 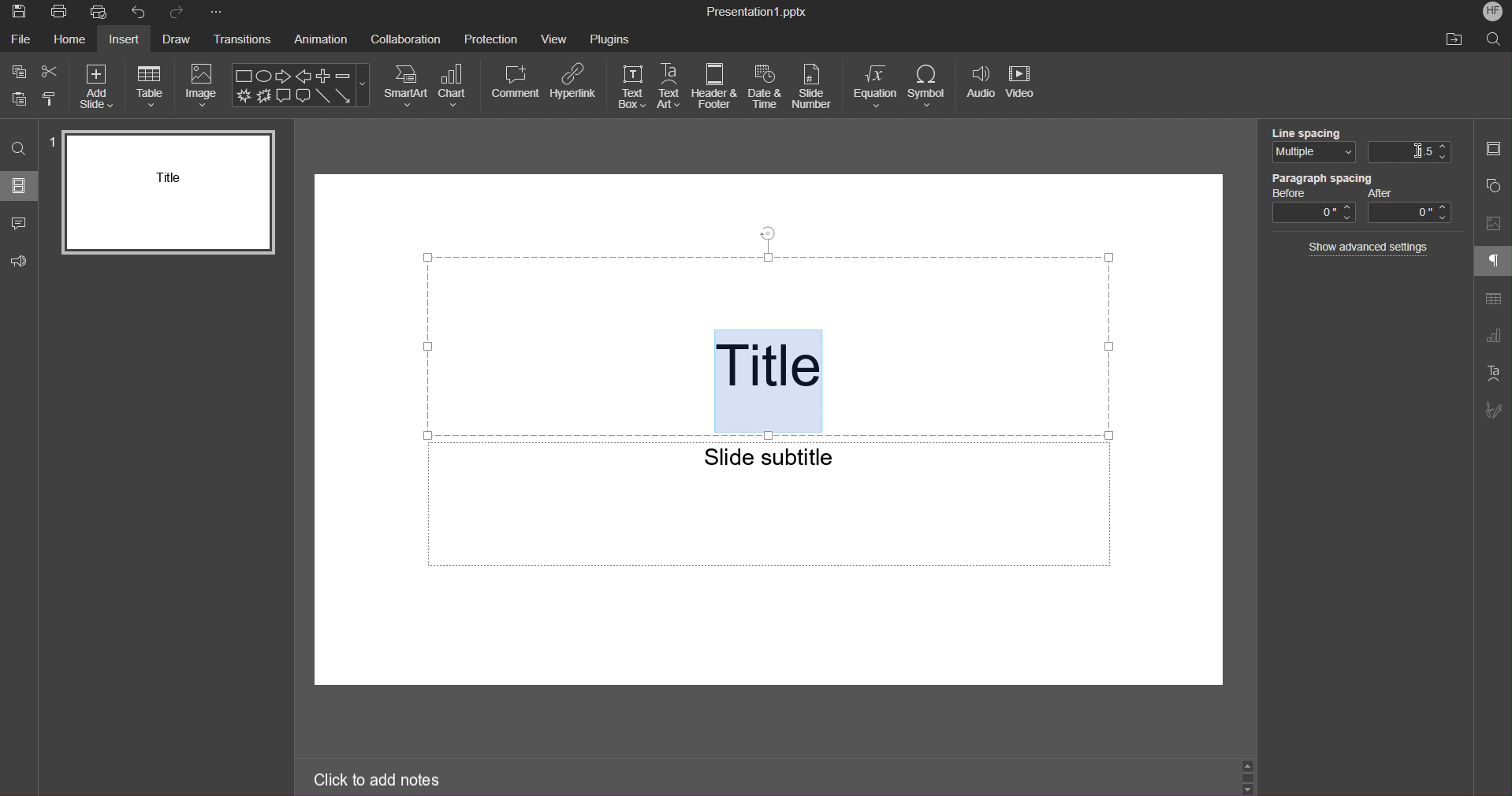 I want to click on Symbol, so click(x=933, y=87).